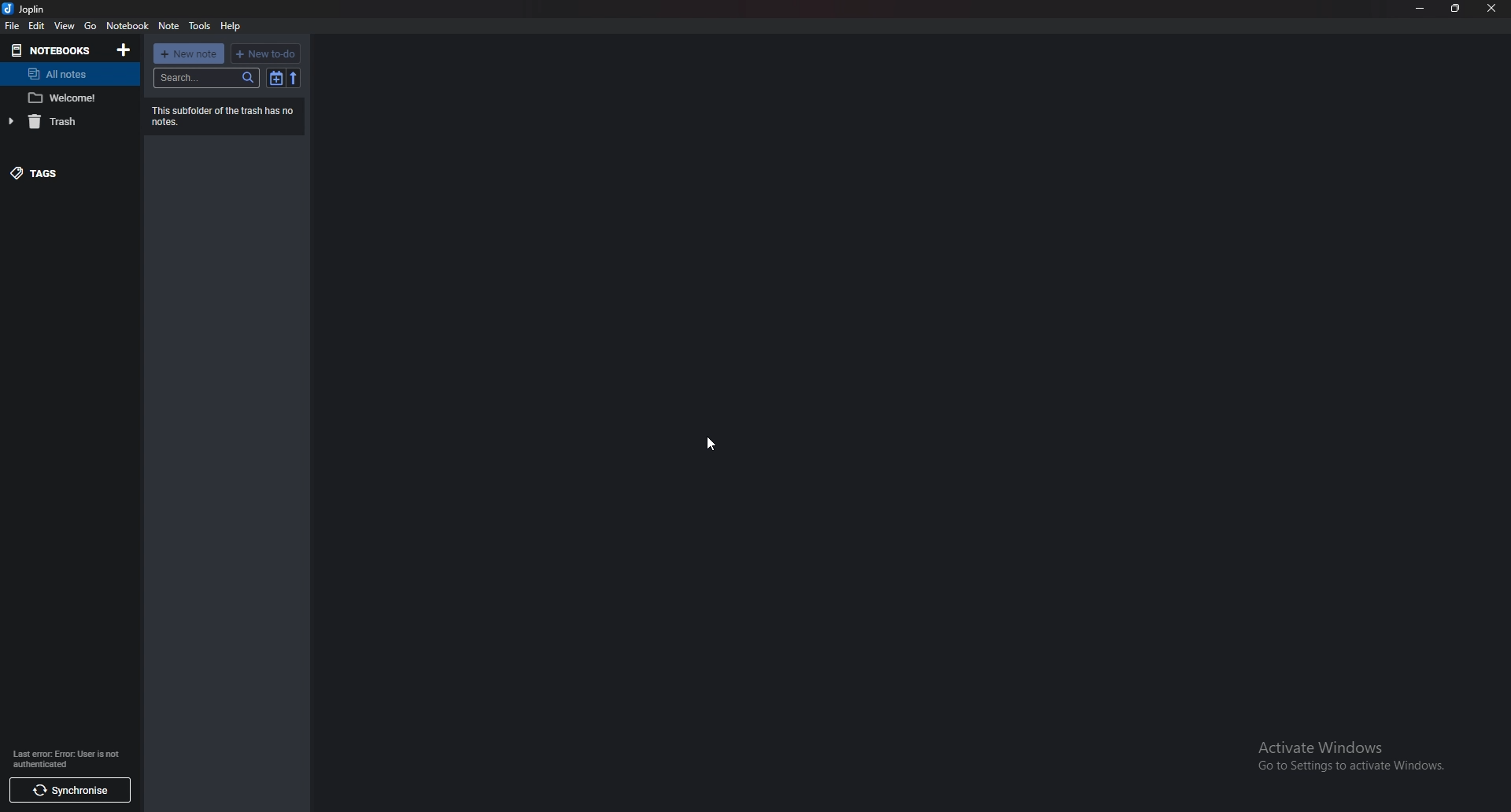 This screenshot has height=812, width=1511. Describe the element at coordinates (711, 445) in the screenshot. I see `Pointer` at that location.